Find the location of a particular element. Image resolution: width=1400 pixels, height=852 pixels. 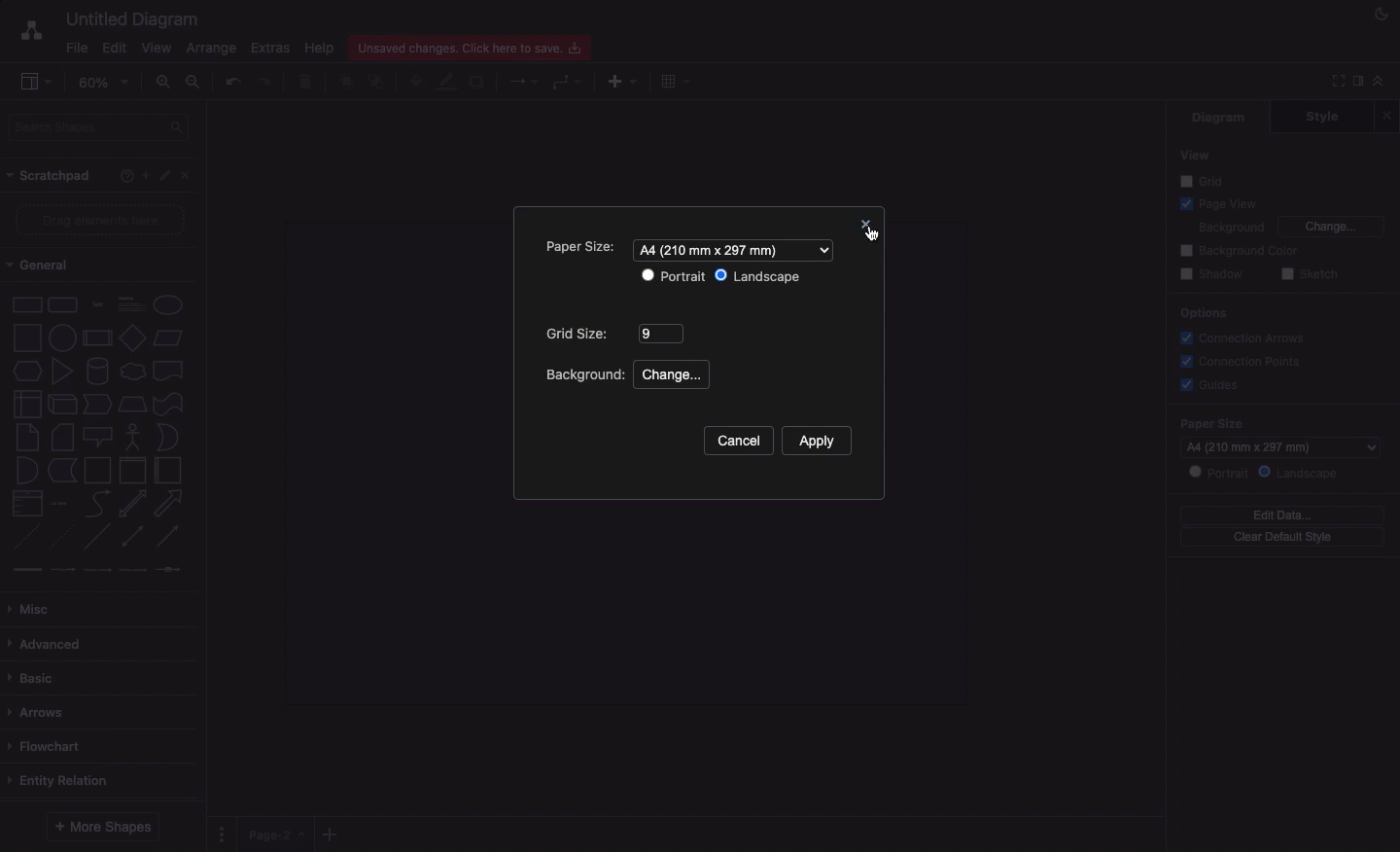

View  is located at coordinates (1194, 156).